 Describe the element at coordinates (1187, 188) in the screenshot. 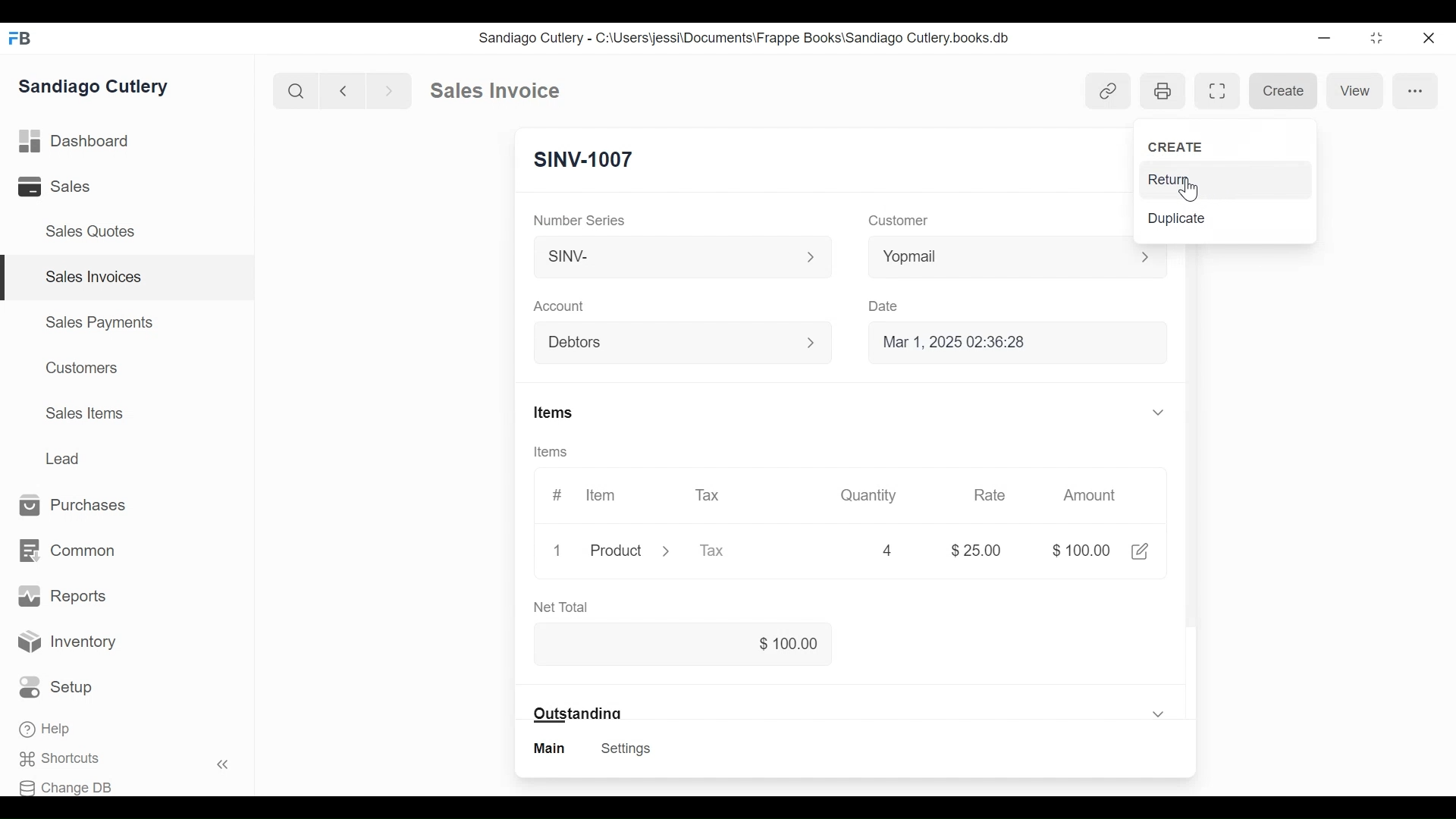

I see `Cursor` at that location.